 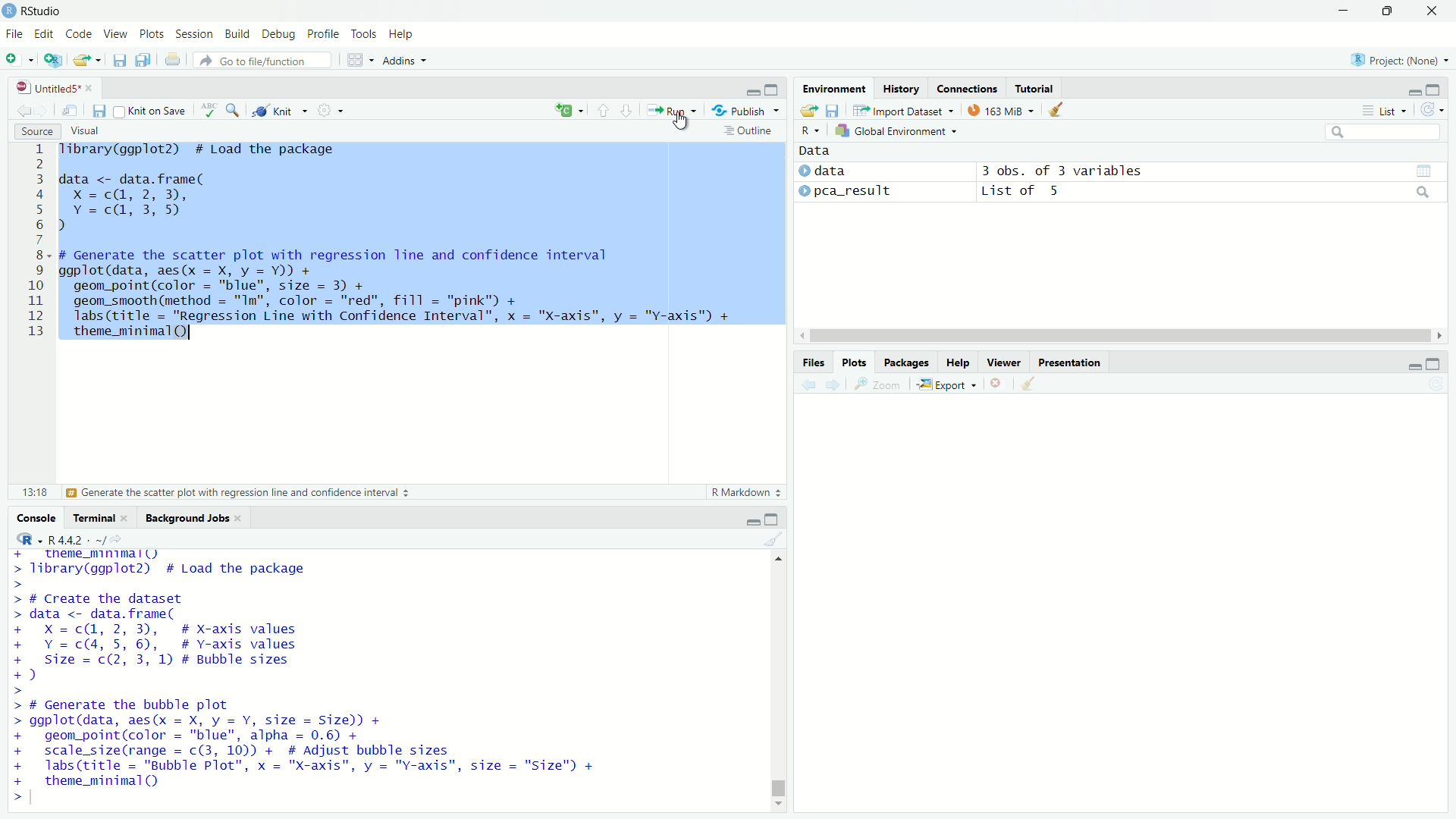 What do you see at coordinates (85, 131) in the screenshot?
I see `Visual` at bounding box center [85, 131].